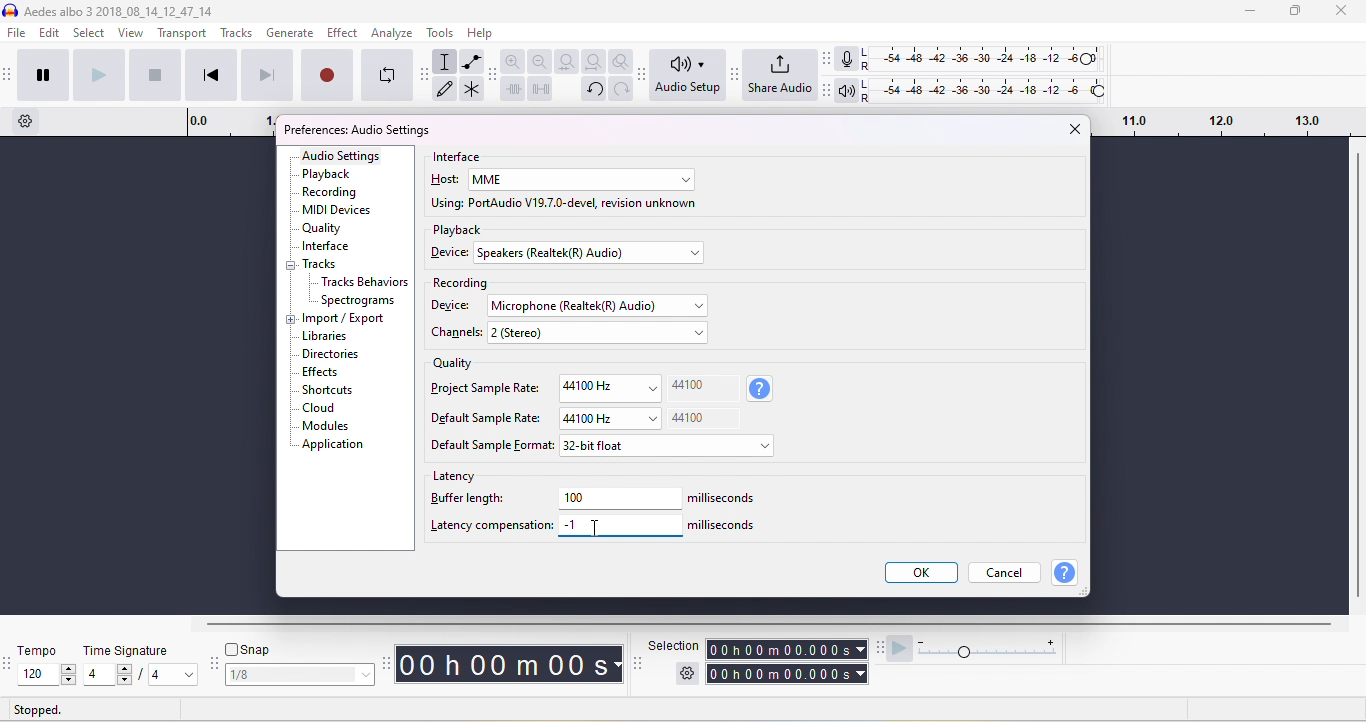 This screenshot has width=1366, height=722. What do you see at coordinates (26, 121) in the screenshot?
I see `timeline options` at bounding box center [26, 121].